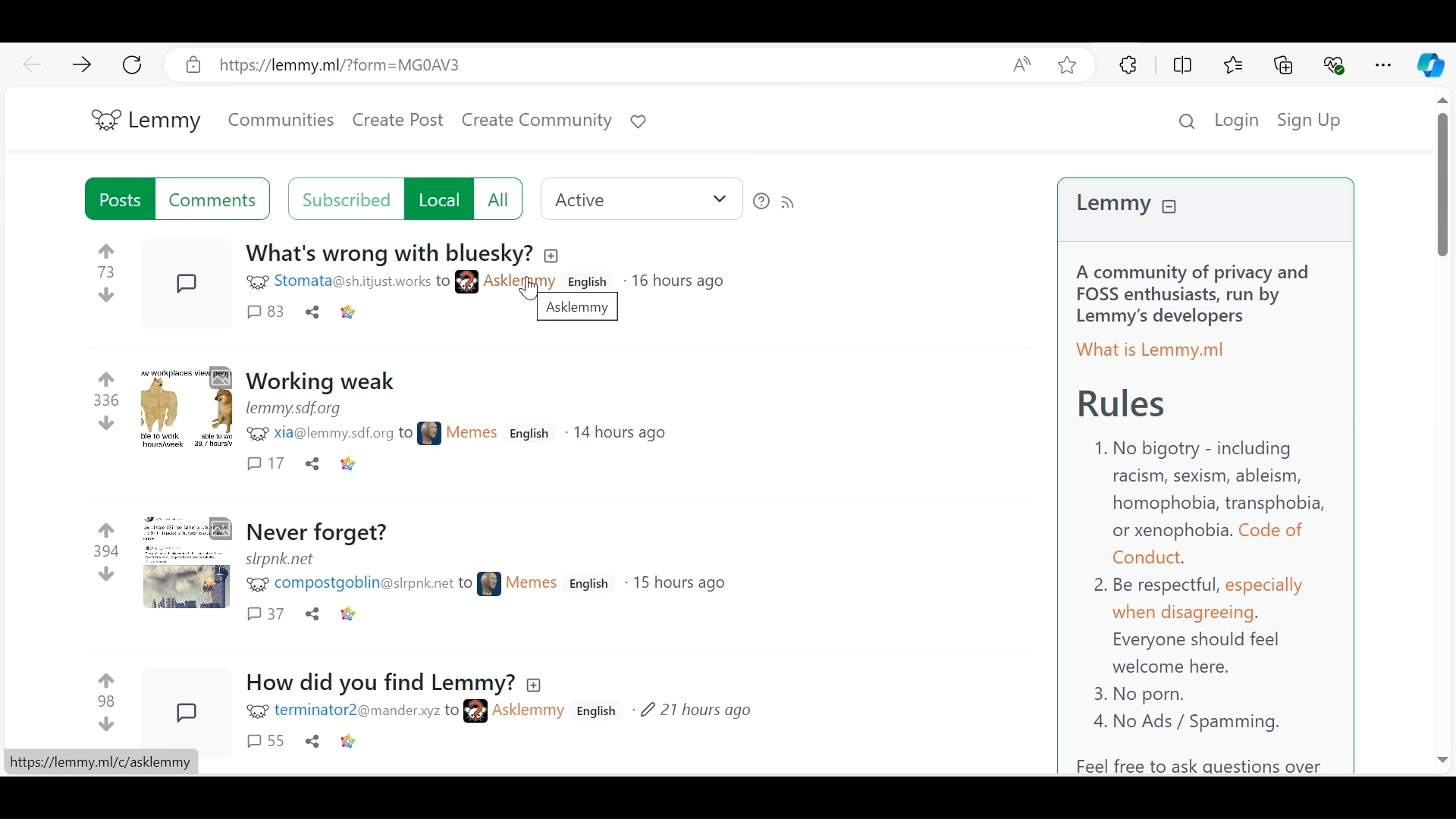 The width and height of the screenshot is (1456, 819). I want to click on Share, so click(311, 465).